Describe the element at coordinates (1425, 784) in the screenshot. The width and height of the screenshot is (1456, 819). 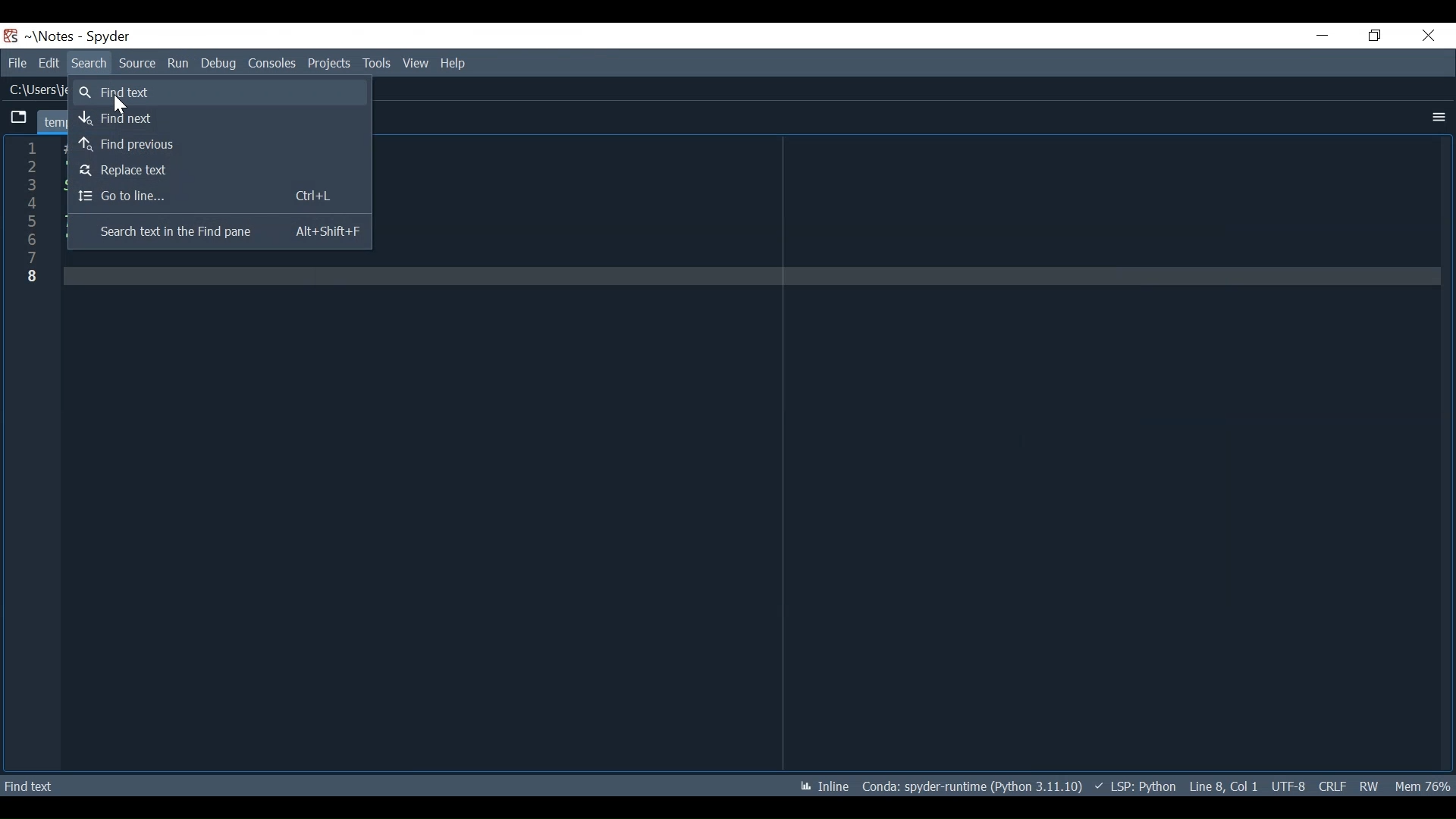
I see `Memory Usage` at that location.